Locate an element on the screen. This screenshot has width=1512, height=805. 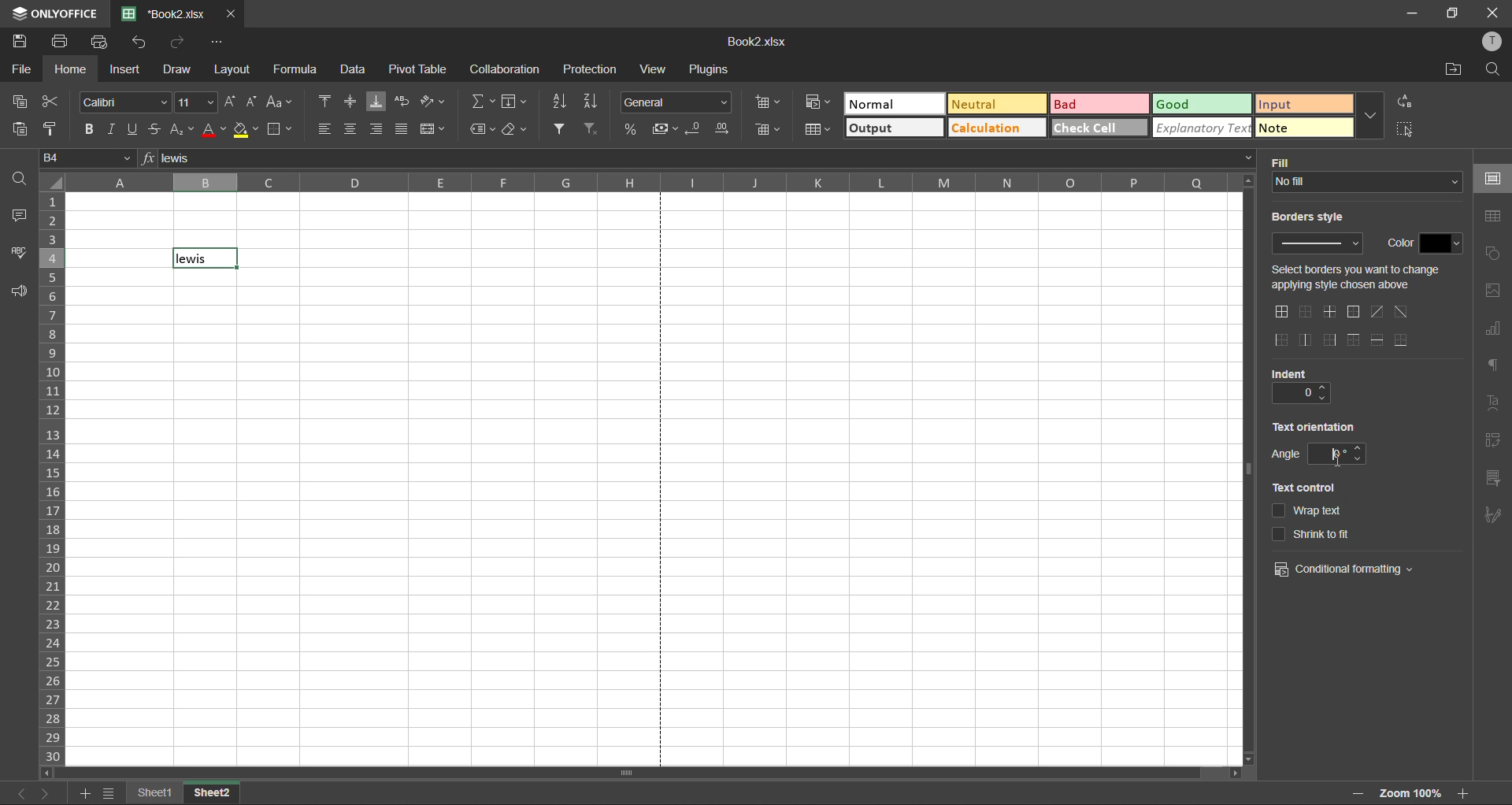
outside borders only is located at coordinates (1351, 312).